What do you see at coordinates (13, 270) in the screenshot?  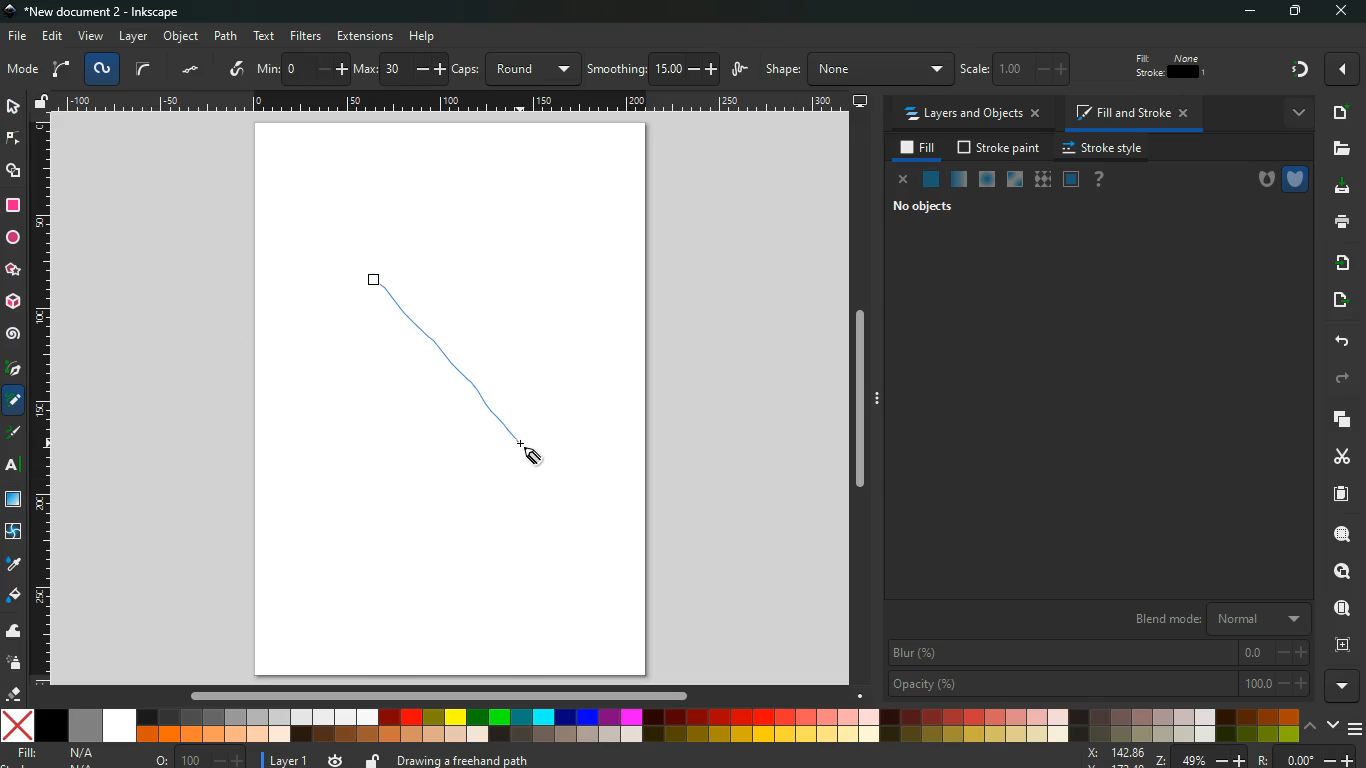 I see `star` at bounding box center [13, 270].